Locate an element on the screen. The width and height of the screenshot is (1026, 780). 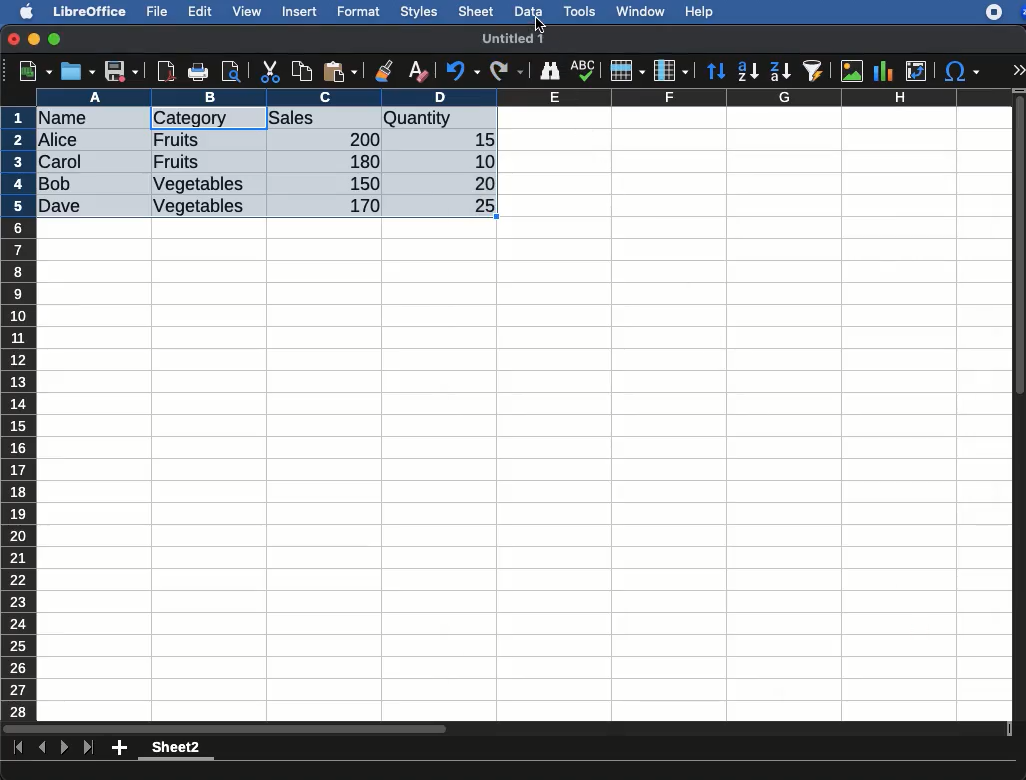
180 is located at coordinates (357, 162).